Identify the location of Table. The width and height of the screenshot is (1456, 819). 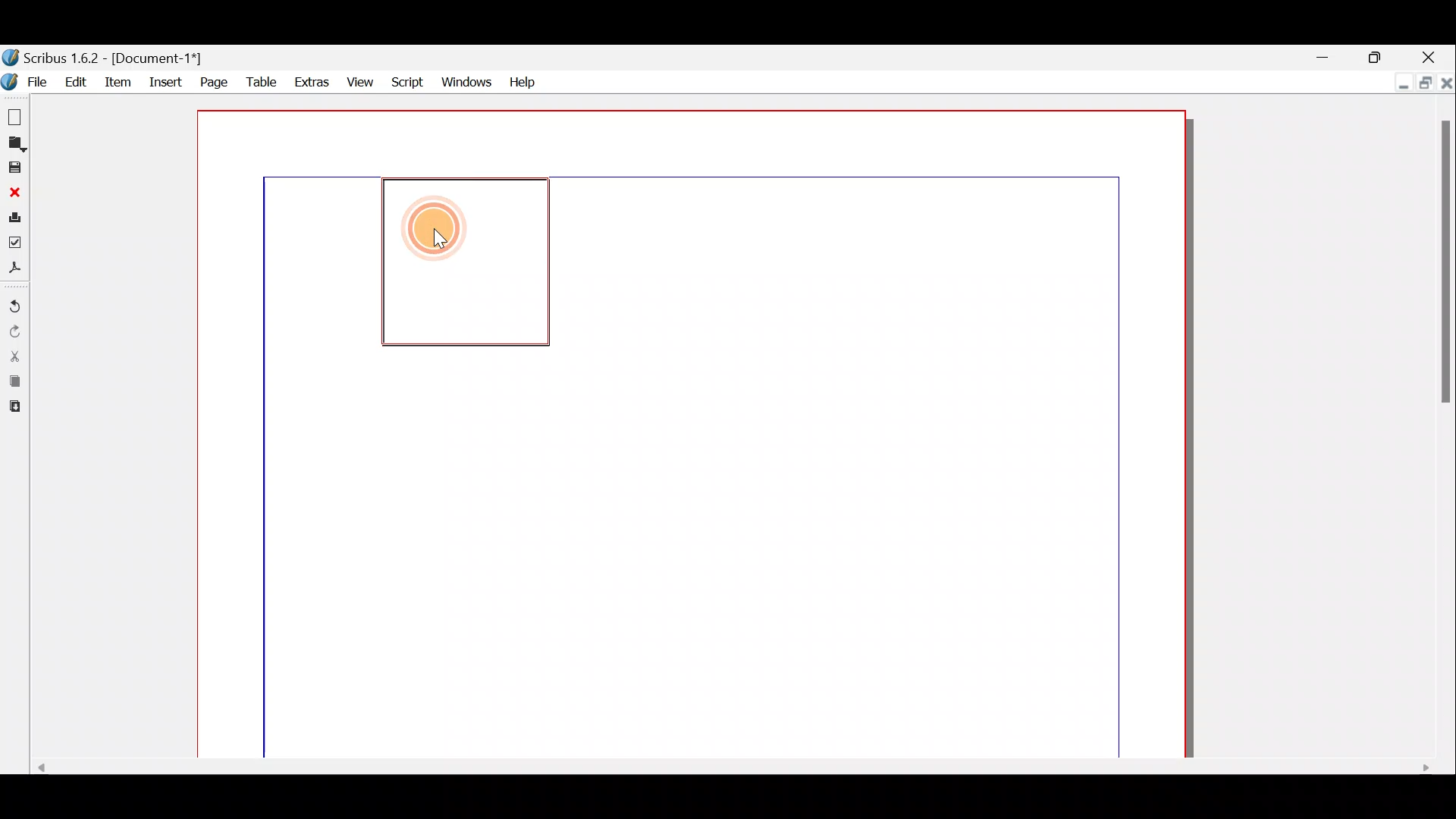
(260, 83).